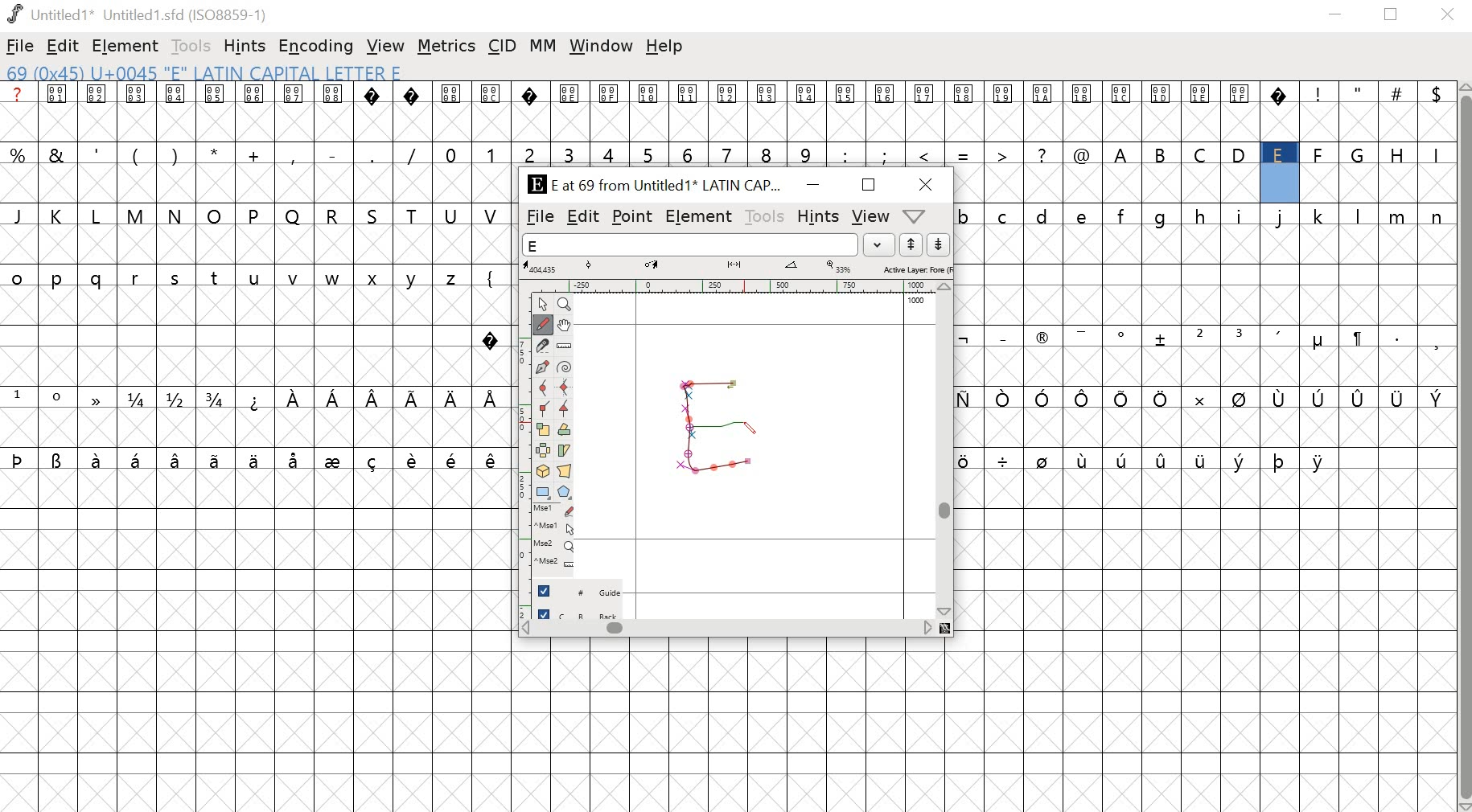  What do you see at coordinates (714, 425) in the screenshot?
I see `drawing glyph` at bounding box center [714, 425].